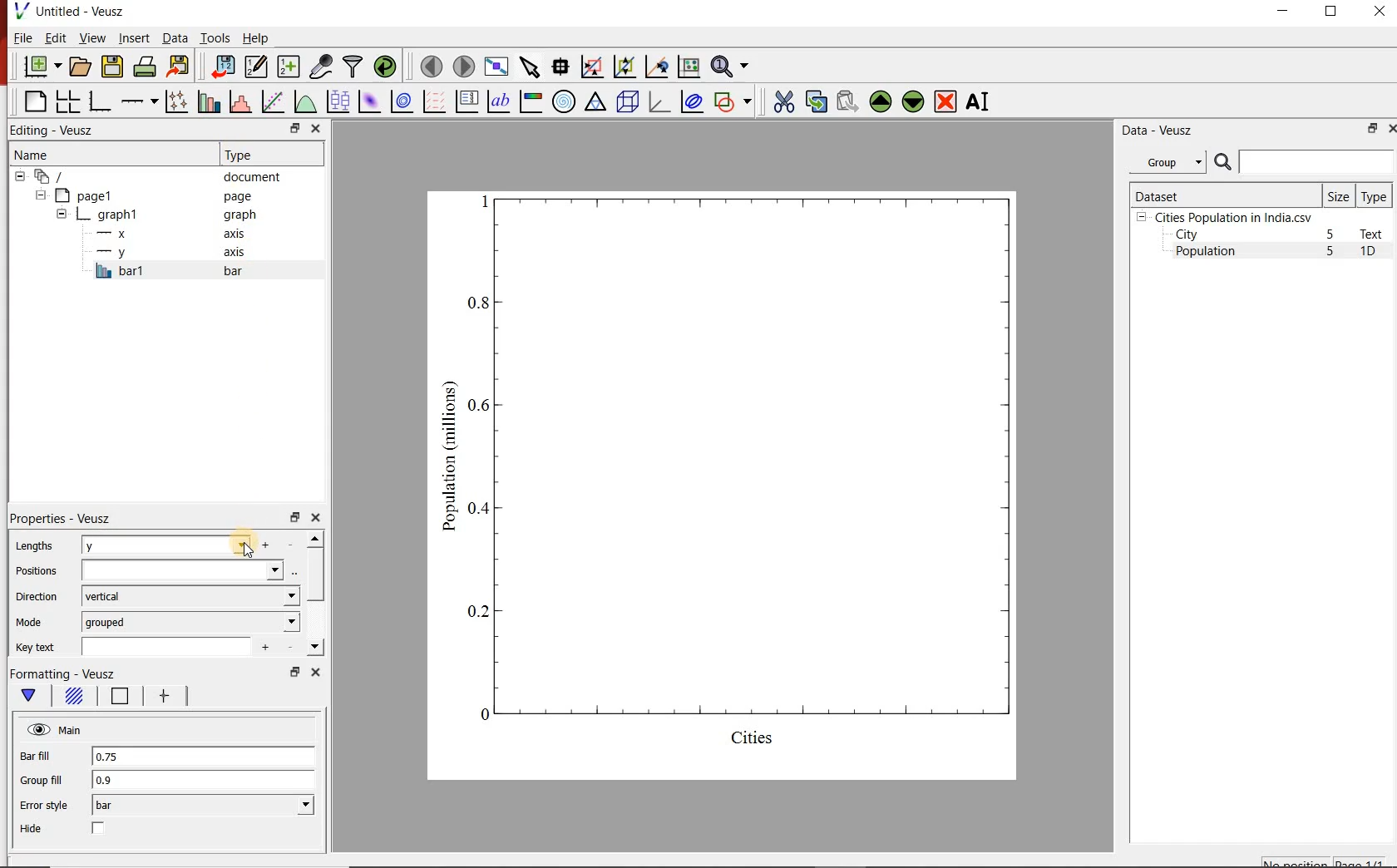 The width and height of the screenshot is (1397, 868). I want to click on close, so click(1390, 128).